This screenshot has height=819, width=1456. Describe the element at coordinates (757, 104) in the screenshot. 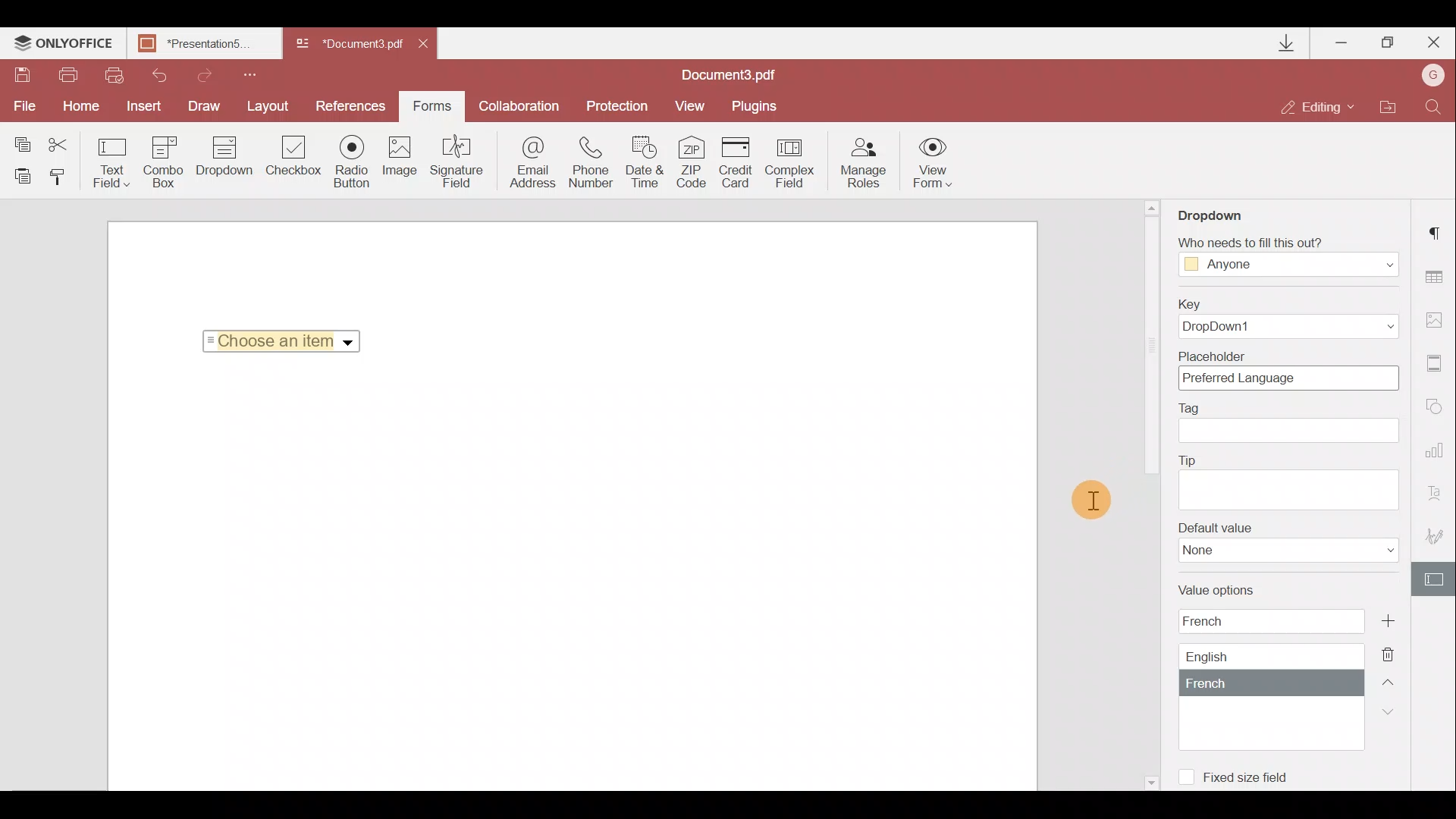

I see `Plugins` at that location.